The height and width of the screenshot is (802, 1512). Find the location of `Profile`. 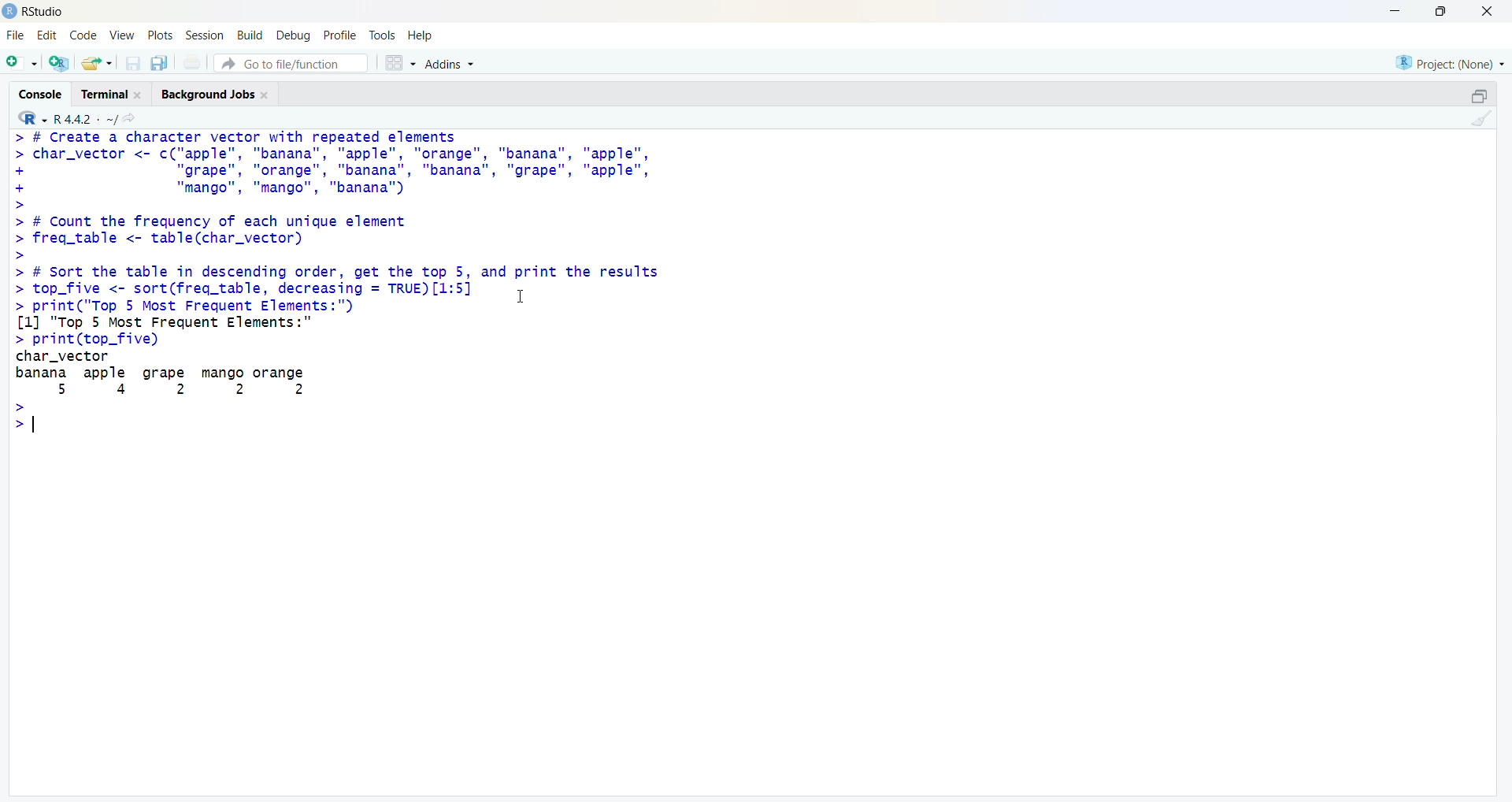

Profile is located at coordinates (340, 36).